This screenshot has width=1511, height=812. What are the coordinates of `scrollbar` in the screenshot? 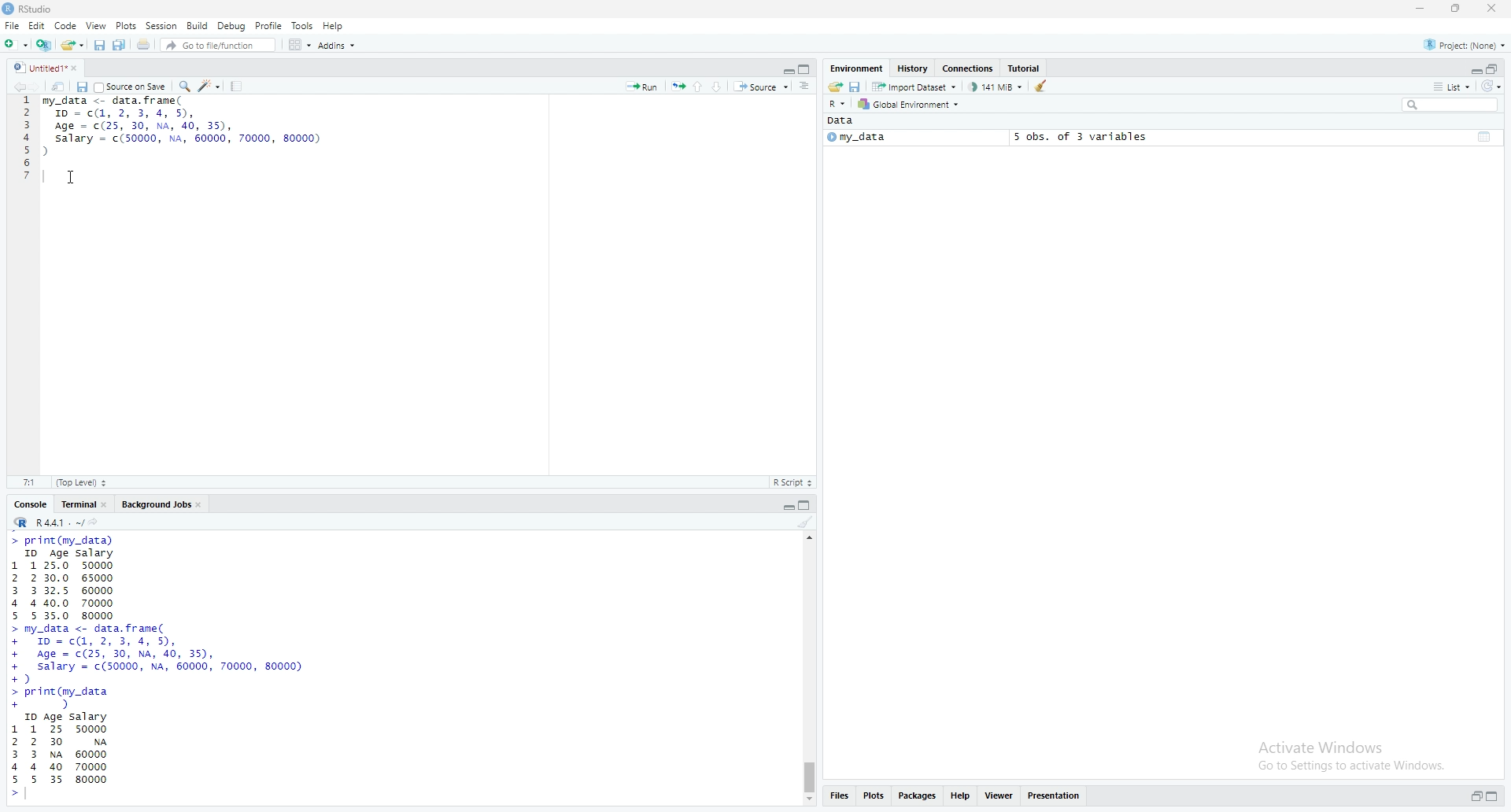 It's located at (809, 669).